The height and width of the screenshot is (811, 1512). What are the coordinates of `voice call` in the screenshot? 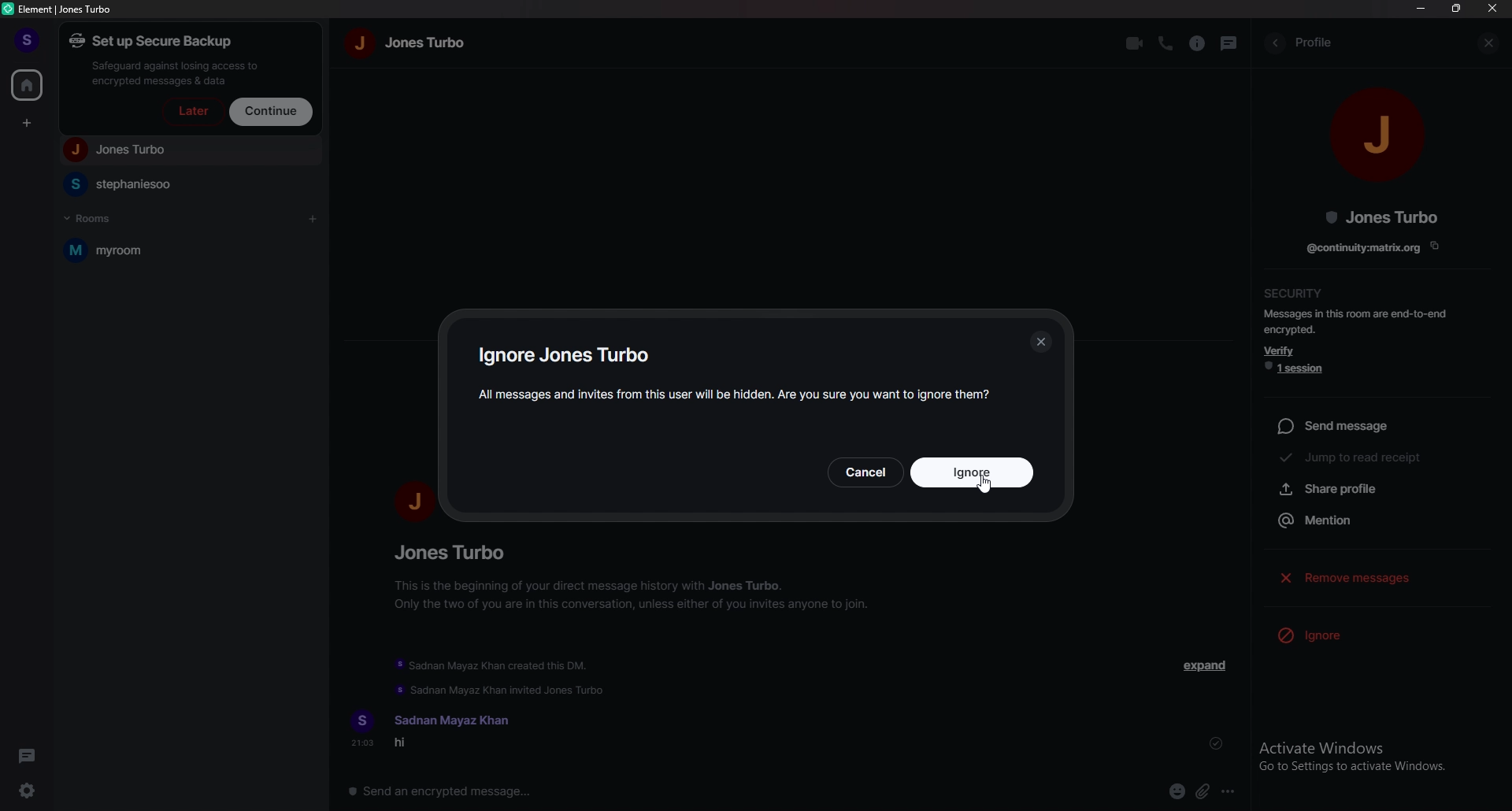 It's located at (1164, 44).